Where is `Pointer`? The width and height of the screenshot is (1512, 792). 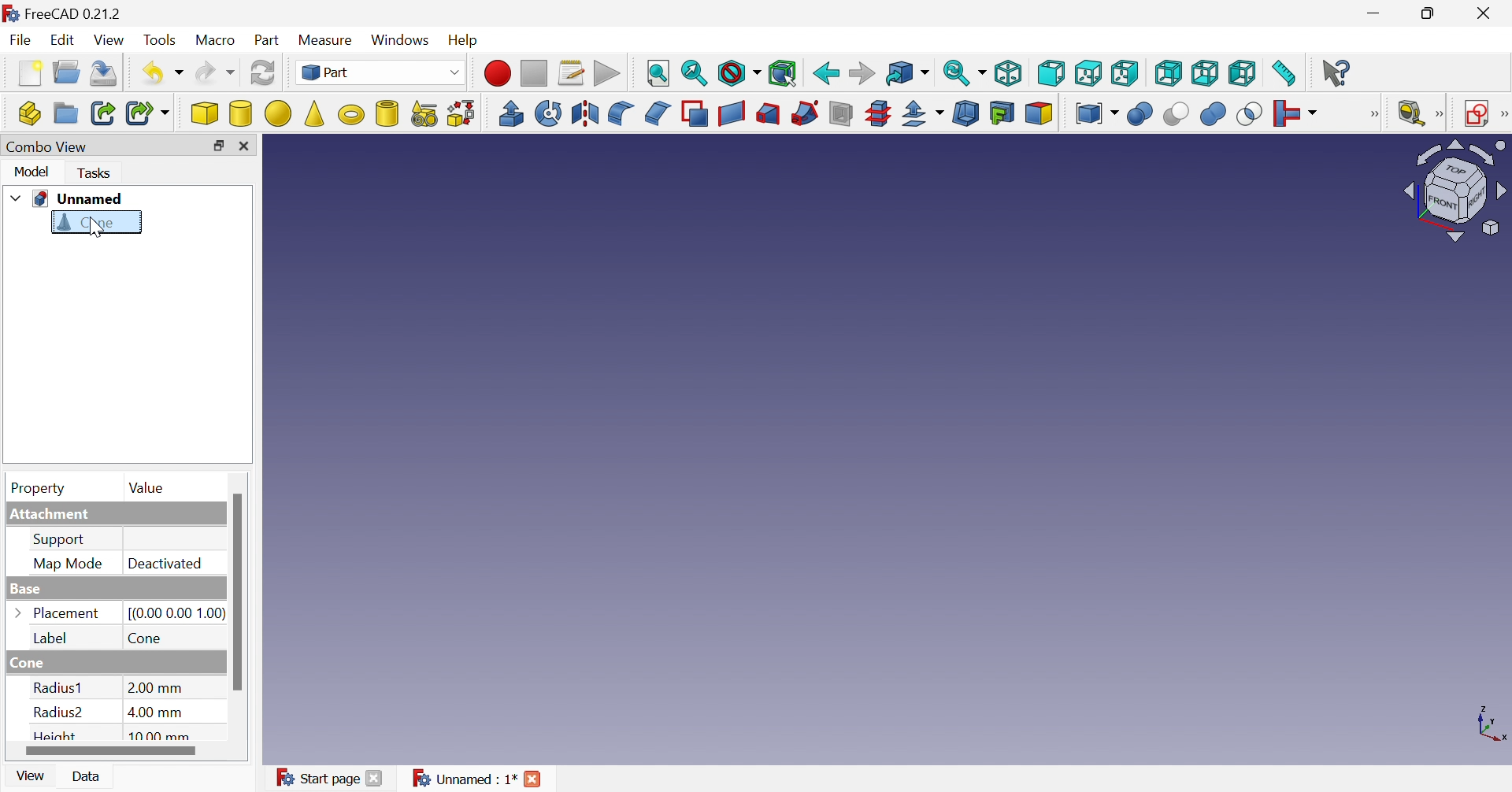
Pointer is located at coordinates (94, 228).